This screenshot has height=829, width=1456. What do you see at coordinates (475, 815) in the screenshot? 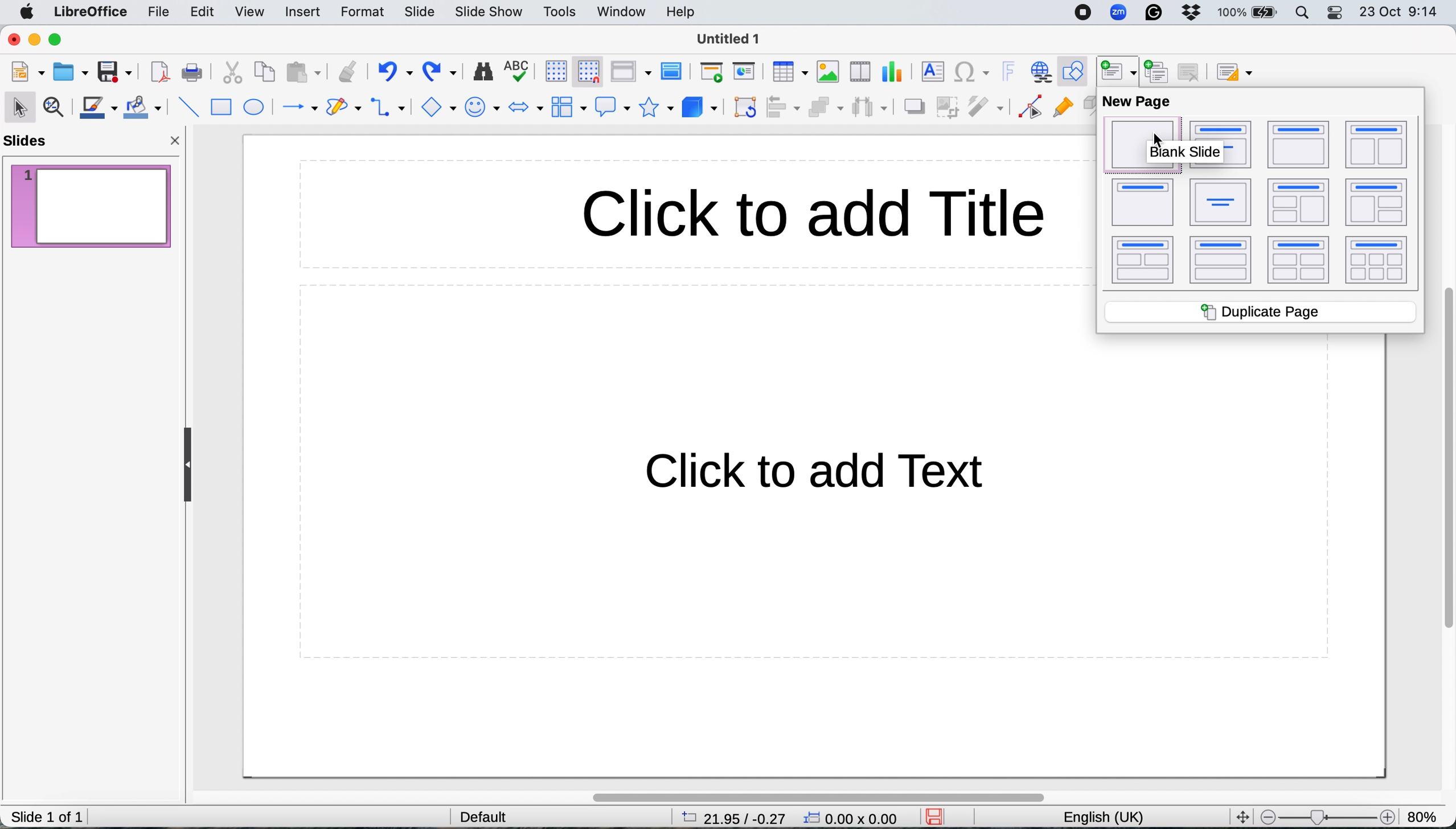
I see `default` at bounding box center [475, 815].